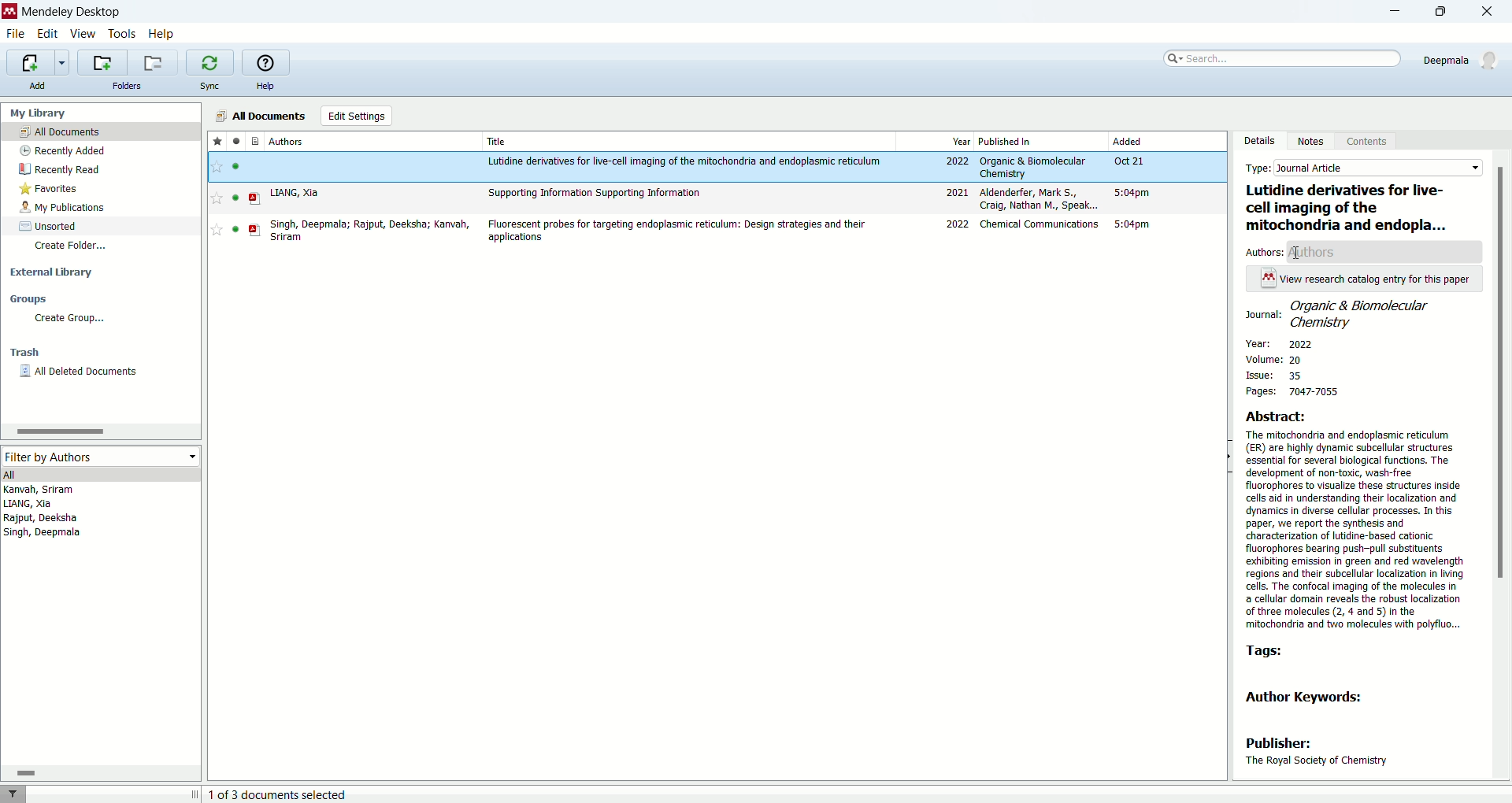  What do you see at coordinates (13, 794) in the screenshot?
I see `filter` at bounding box center [13, 794].